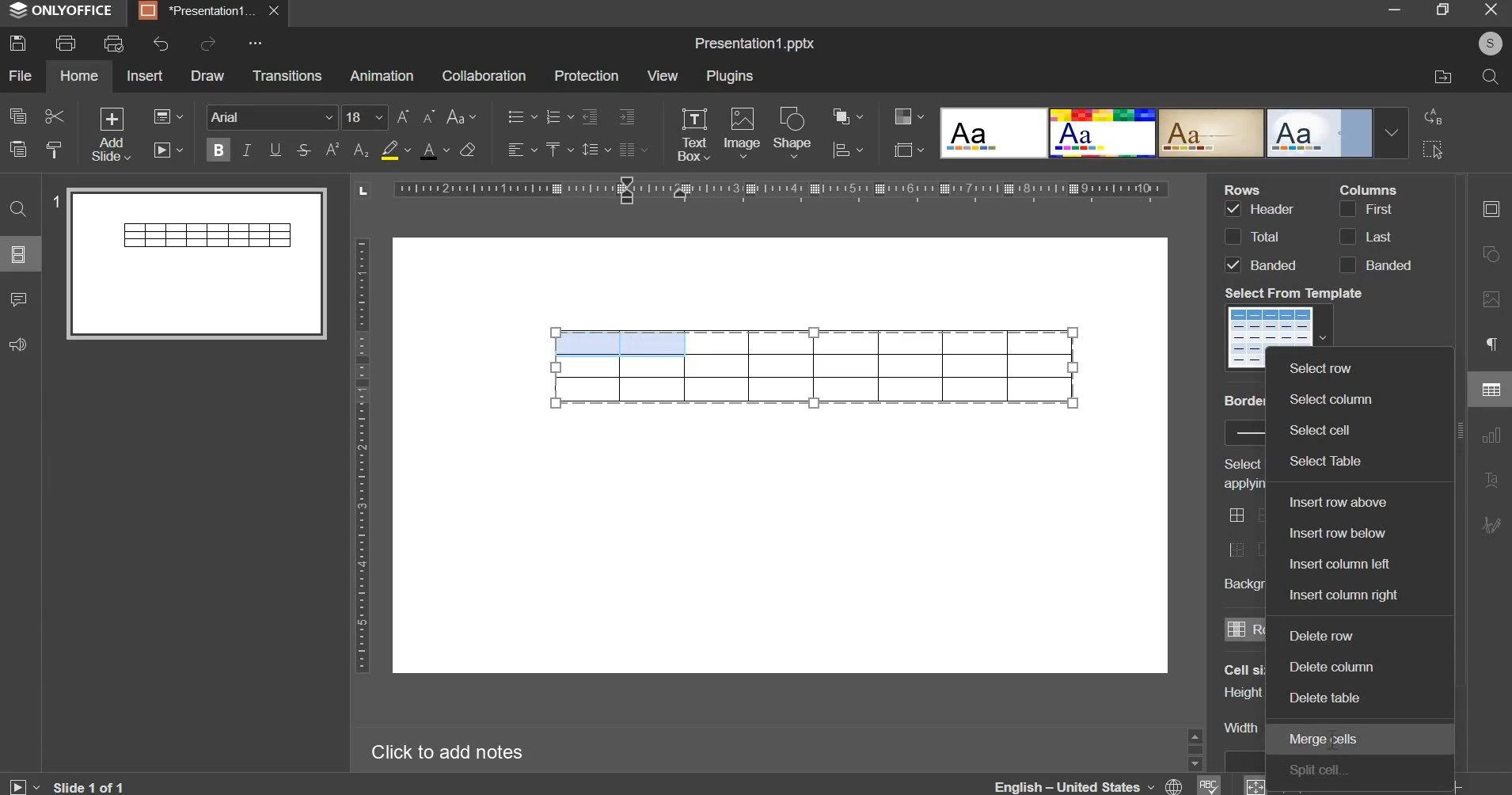 Image resolution: width=1512 pixels, height=795 pixels. Describe the element at coordinates (1443, 75) in the screenshot. I see `file location` at that location.